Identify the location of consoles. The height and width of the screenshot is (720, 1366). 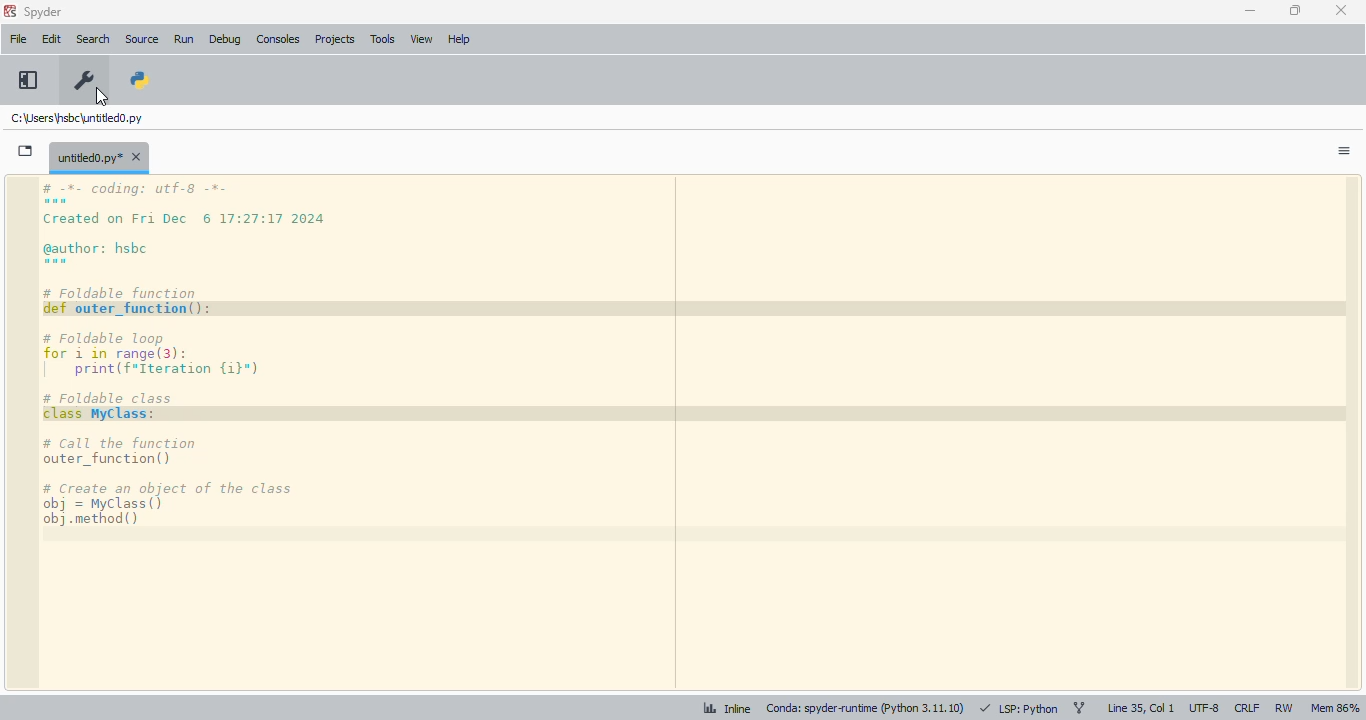
(278, 38).